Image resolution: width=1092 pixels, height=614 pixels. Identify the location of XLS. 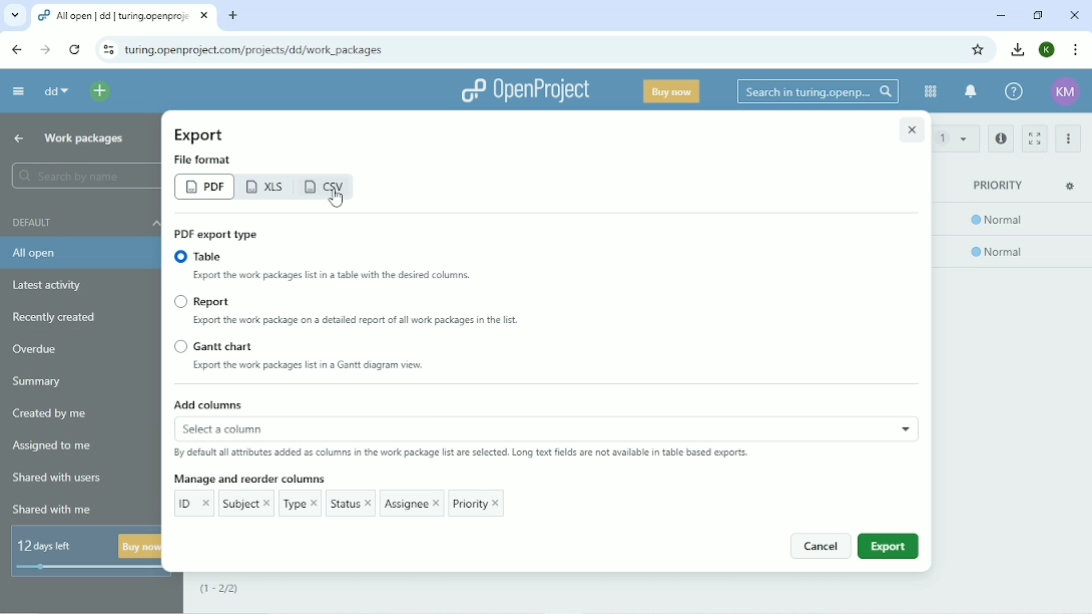
(267, 187).